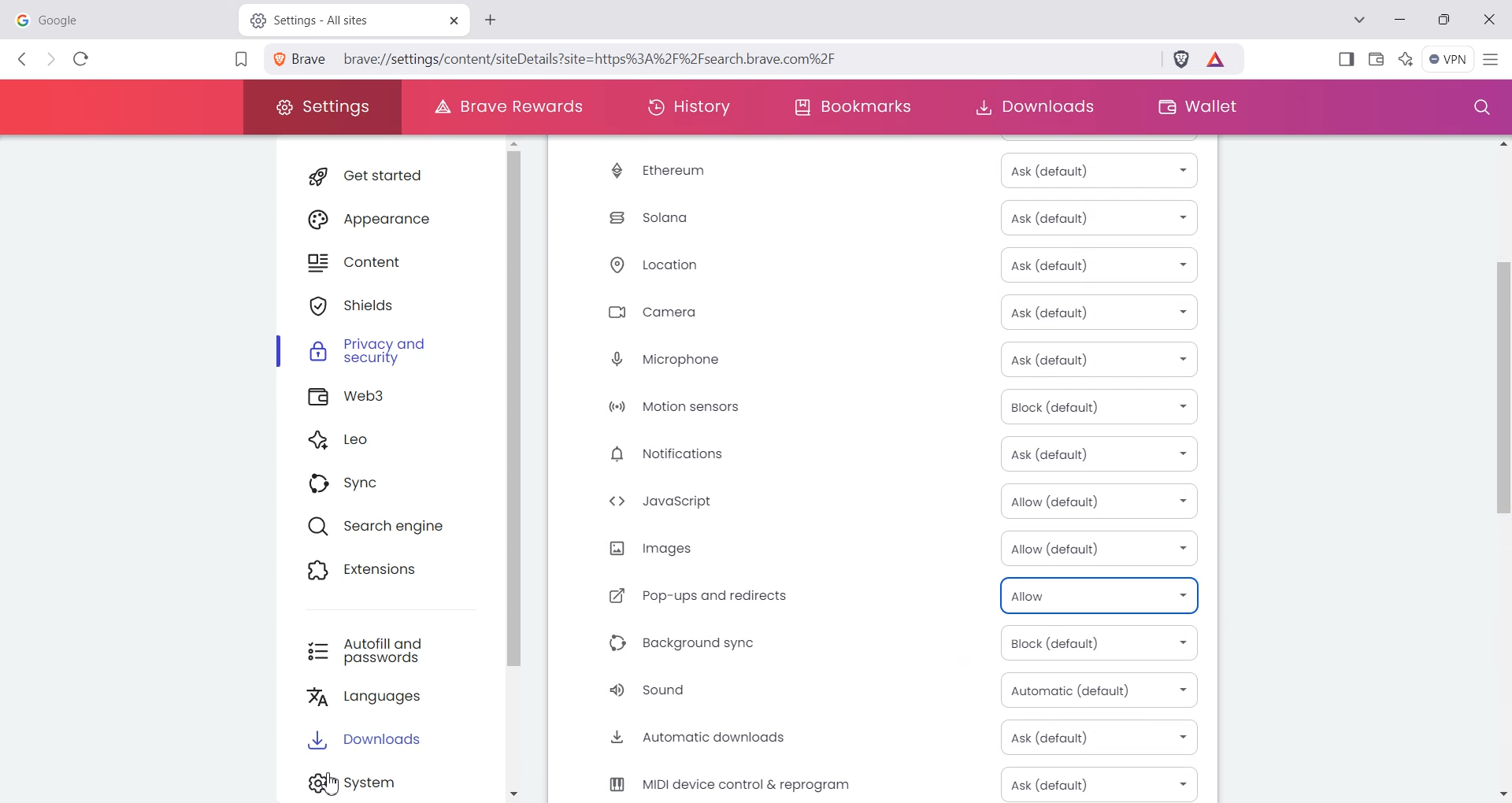 Image resolution: width=1512 pixels, height=803 pixels. Describe the element at coordinates (1033, 107) in the screenshot. I see `Downloads` at that location.